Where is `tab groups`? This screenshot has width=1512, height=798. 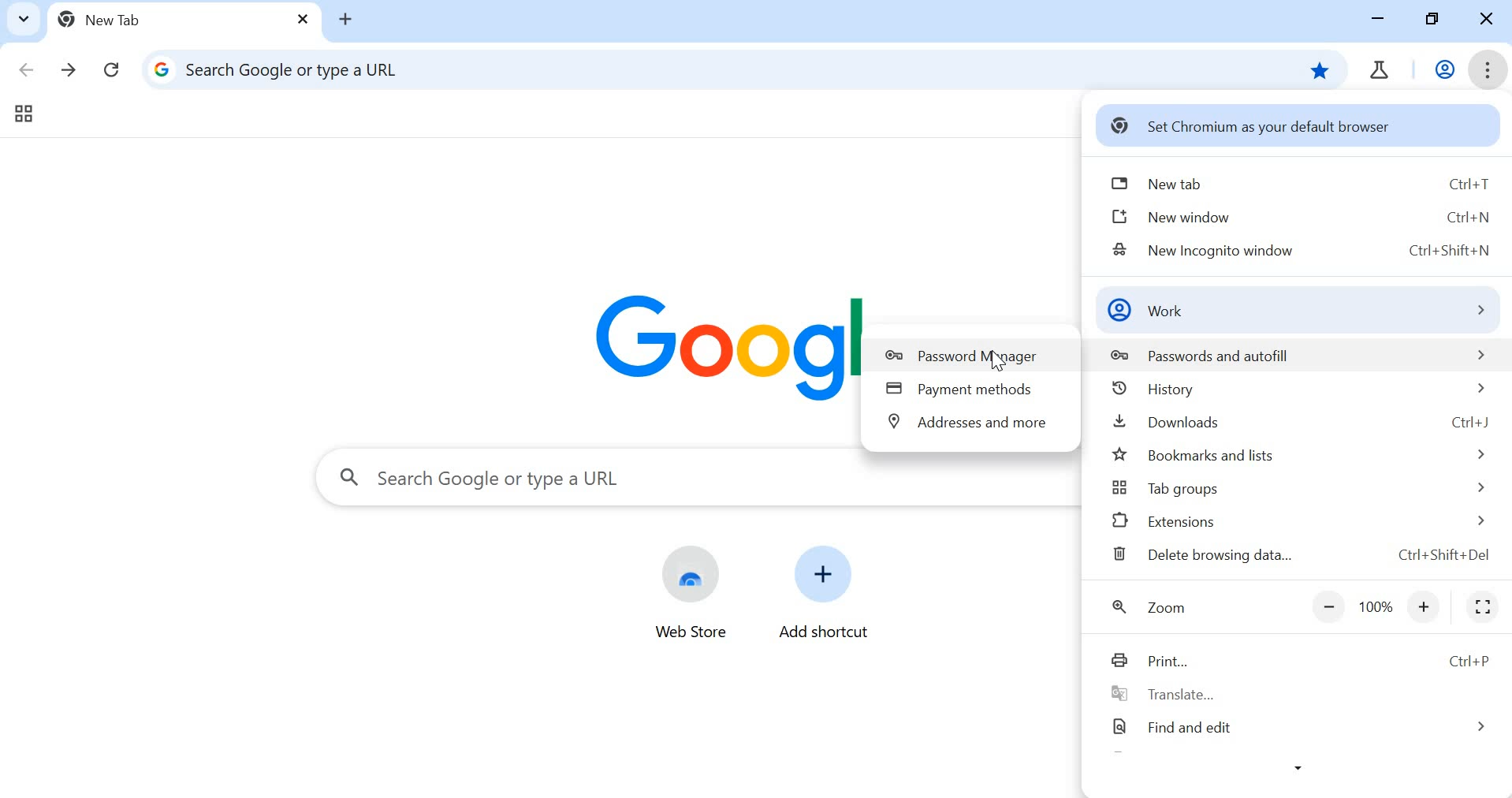 tab groups is located at coordinates (24, 114).